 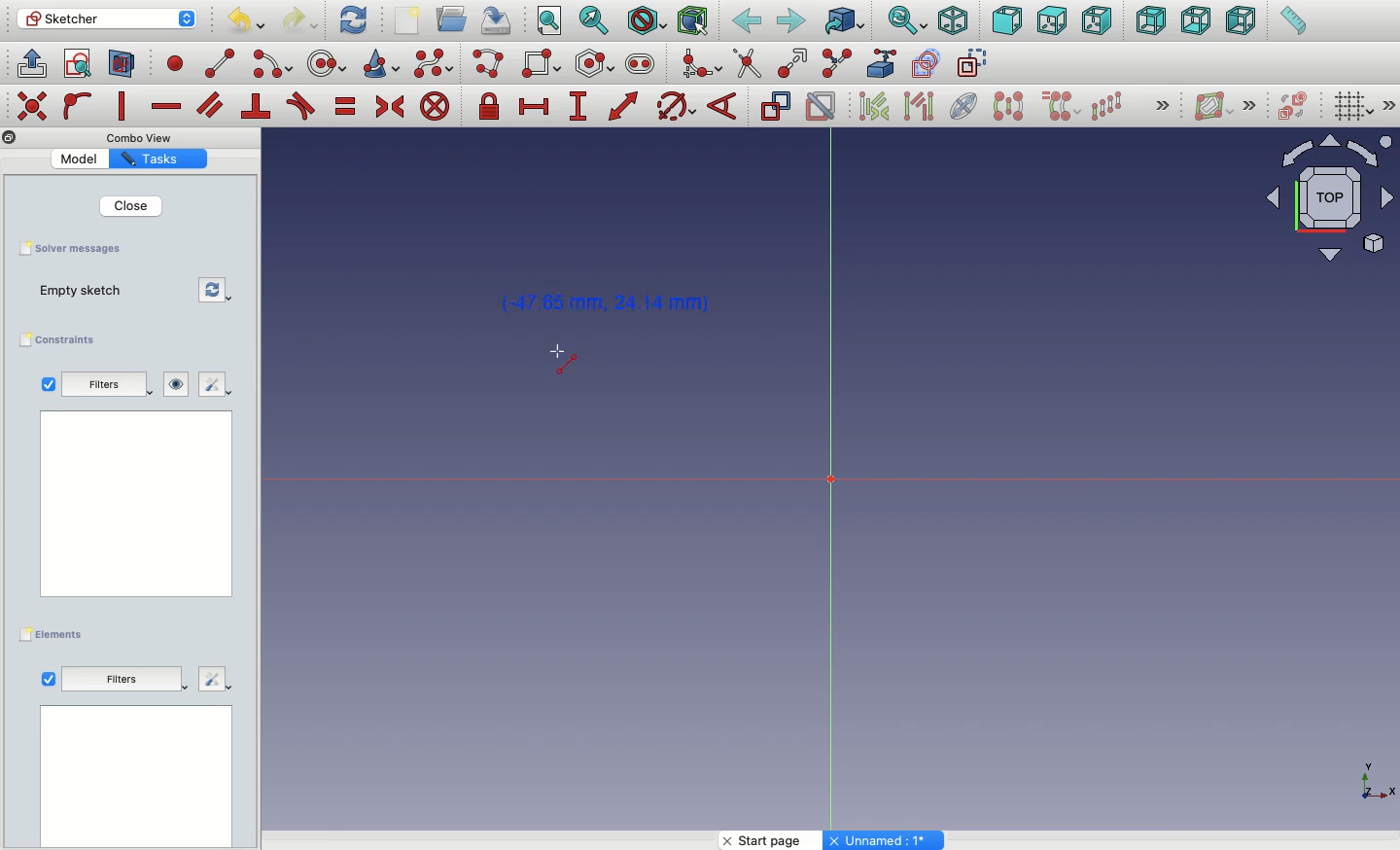 What do you see at coordinates (1213, 106) in the screenshot?
I see `Show/hide B-spline information layer` at bounding box center [1213, 106].